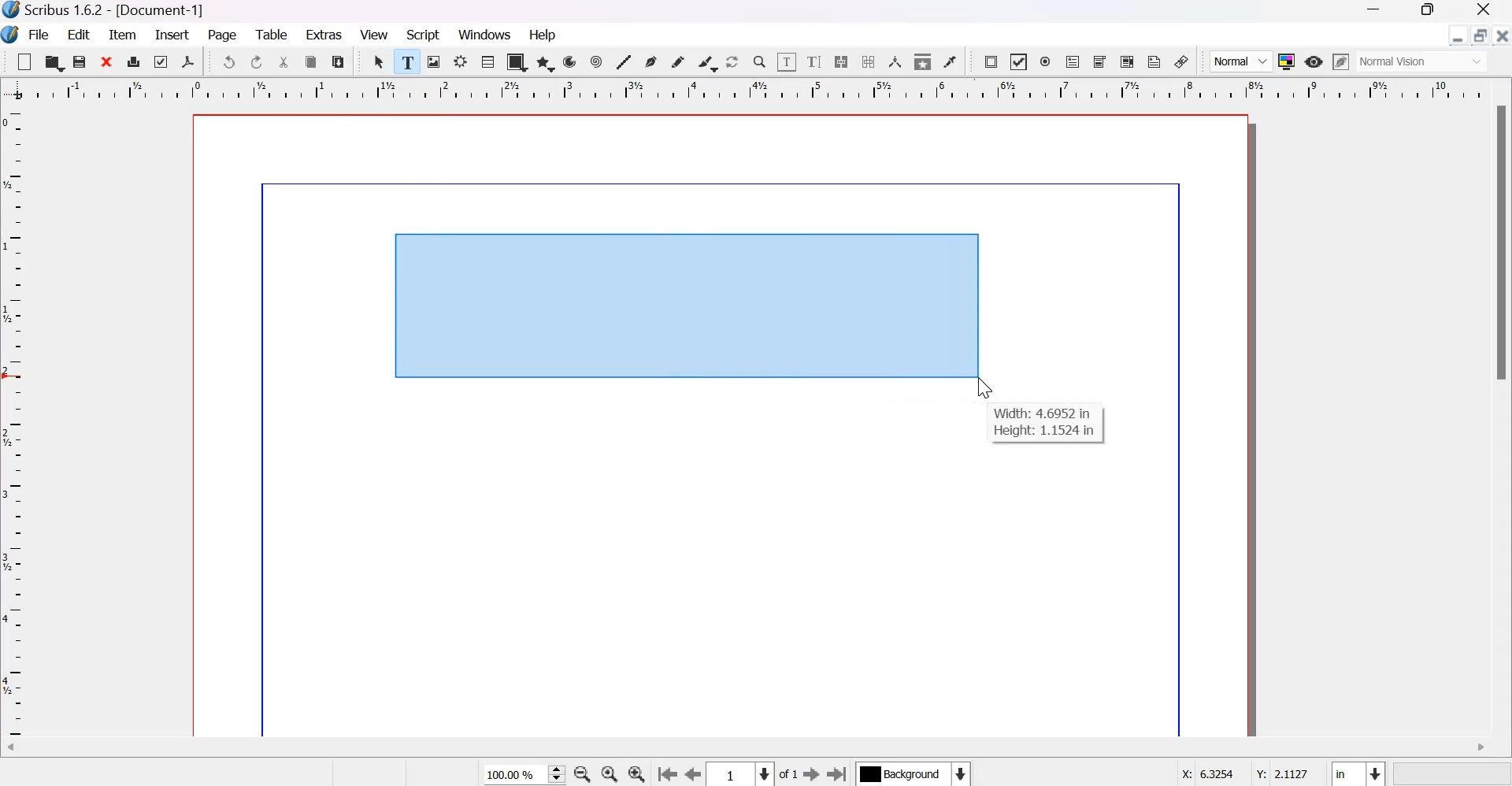 The height and width of the screenshot is (786, 1512). What do you see at coordinates (1314, 63) in the screenshot?
I see `Preview mode` at bounding box center [1314, 63].